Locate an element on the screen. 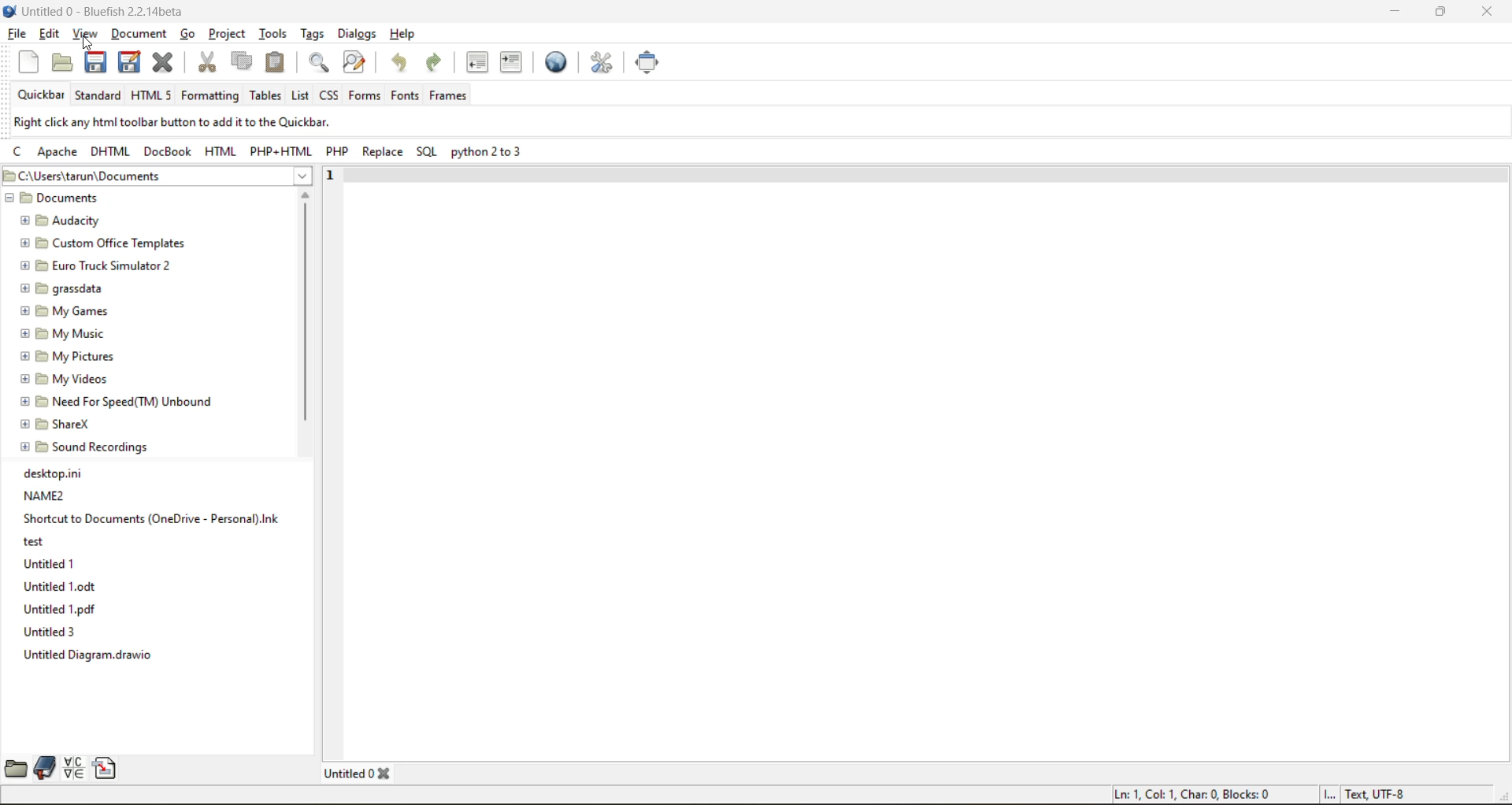 This screenshot has height=805, width=1512. dhtml is located at coordinates (111, 154).